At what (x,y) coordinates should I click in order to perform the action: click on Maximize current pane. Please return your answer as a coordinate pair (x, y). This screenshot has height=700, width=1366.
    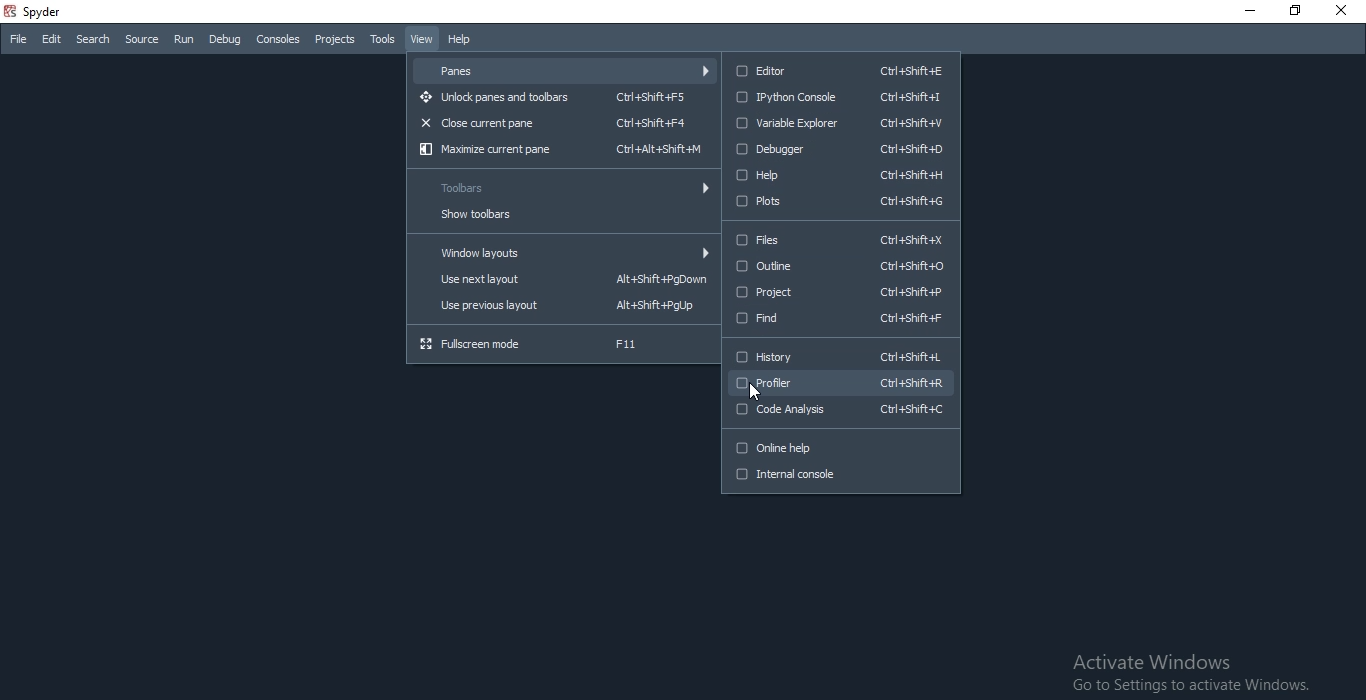
    Looking at the image, I should click on (561, 149).